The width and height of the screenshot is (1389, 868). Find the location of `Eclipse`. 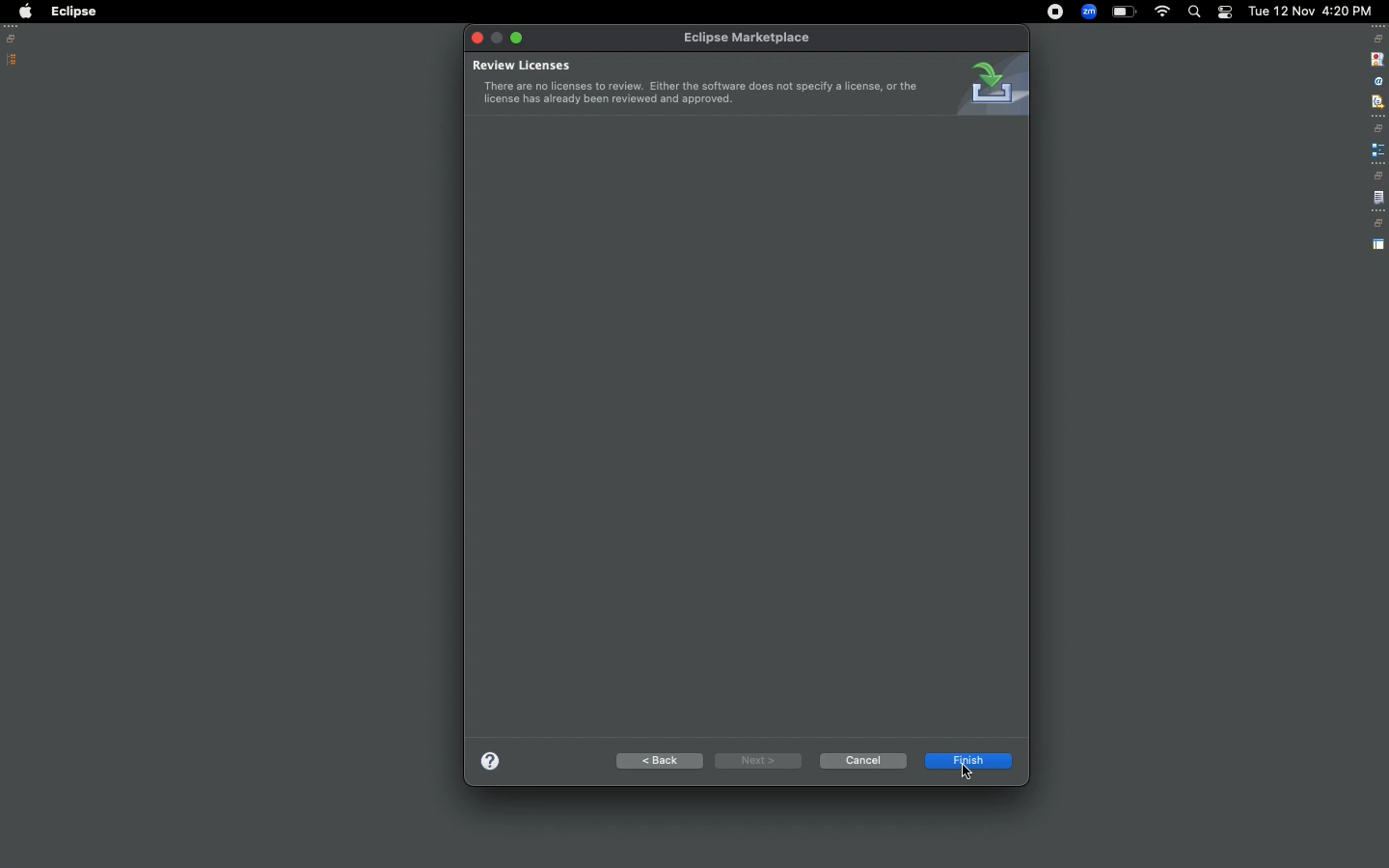

Eclipse is located at coordinates (73, 12).